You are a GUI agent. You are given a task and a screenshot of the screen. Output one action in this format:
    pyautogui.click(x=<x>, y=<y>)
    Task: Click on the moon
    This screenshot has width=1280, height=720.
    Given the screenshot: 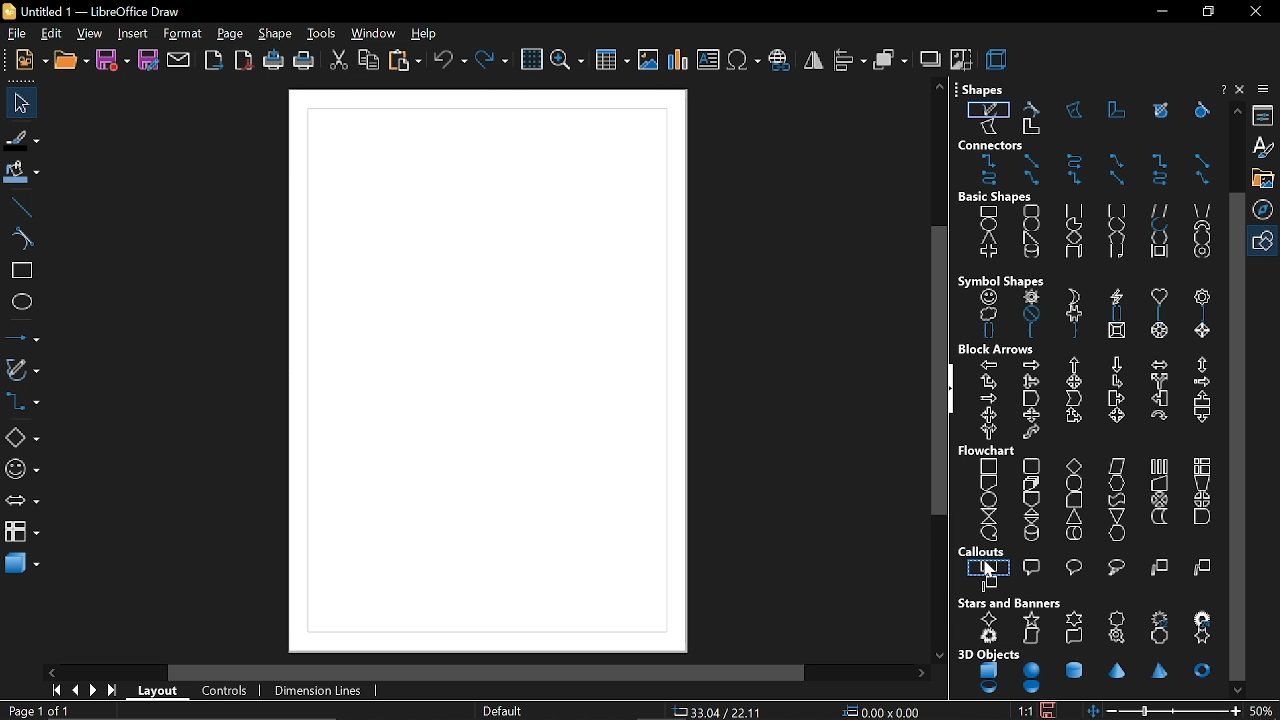 What is the action you would take?
    pyautogui.click(x=1071, y=294)
    